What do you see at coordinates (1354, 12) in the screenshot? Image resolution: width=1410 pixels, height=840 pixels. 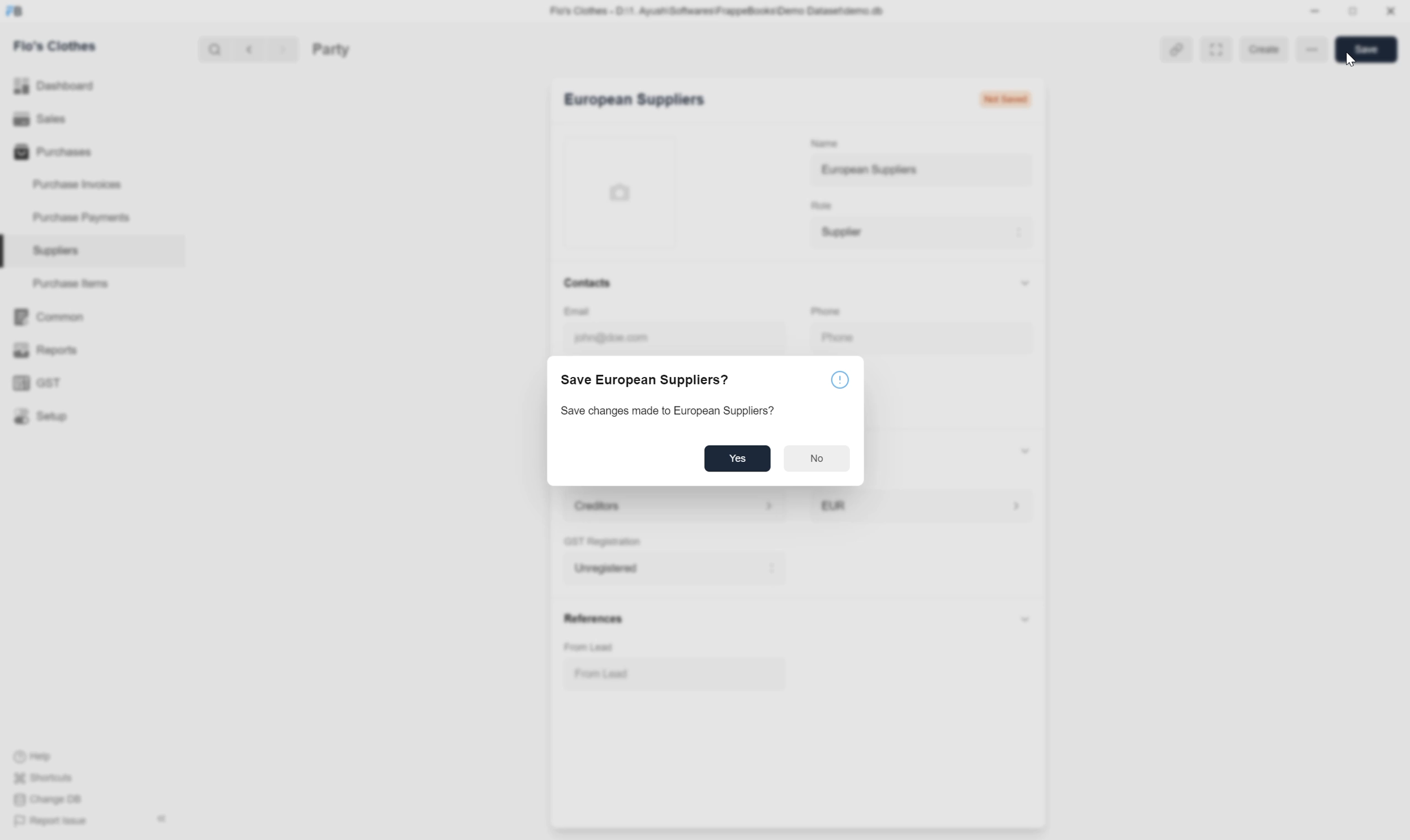 I see `close down` at bounding box center [1354, 12].